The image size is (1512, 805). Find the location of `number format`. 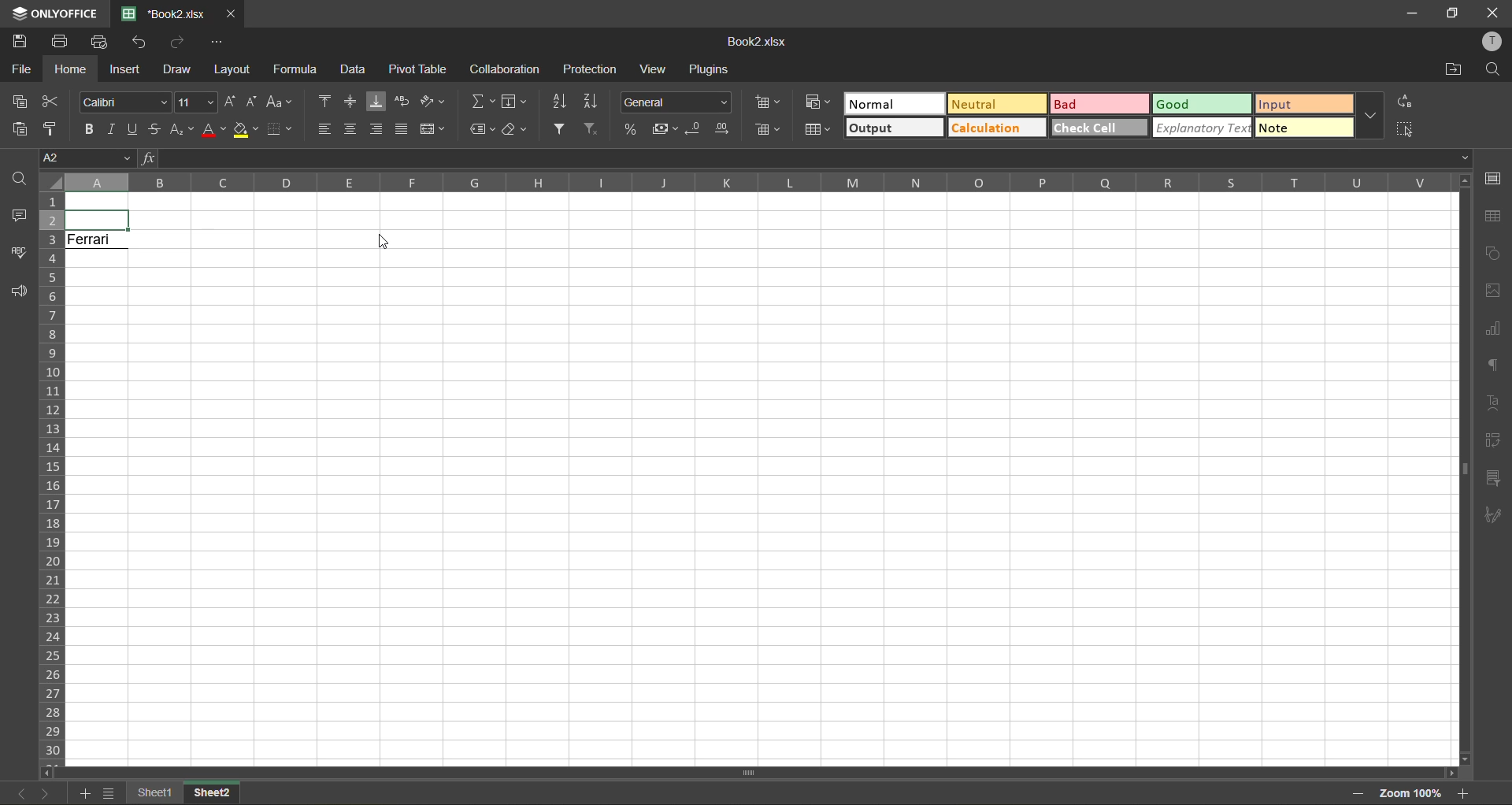

number format is located at coordinates (675, 101).